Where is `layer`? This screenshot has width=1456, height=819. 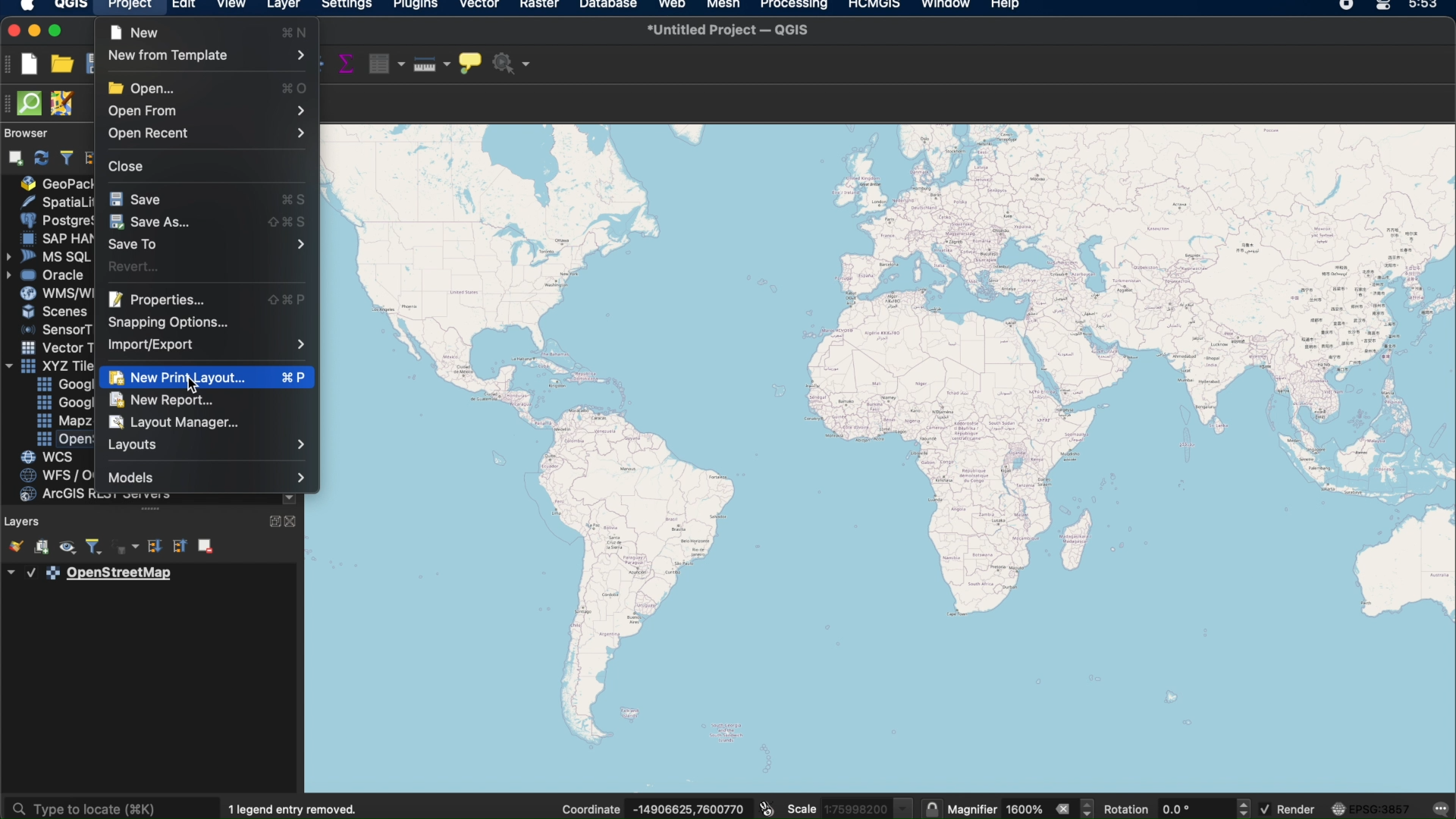
layer is located at coordinates (285, 6).